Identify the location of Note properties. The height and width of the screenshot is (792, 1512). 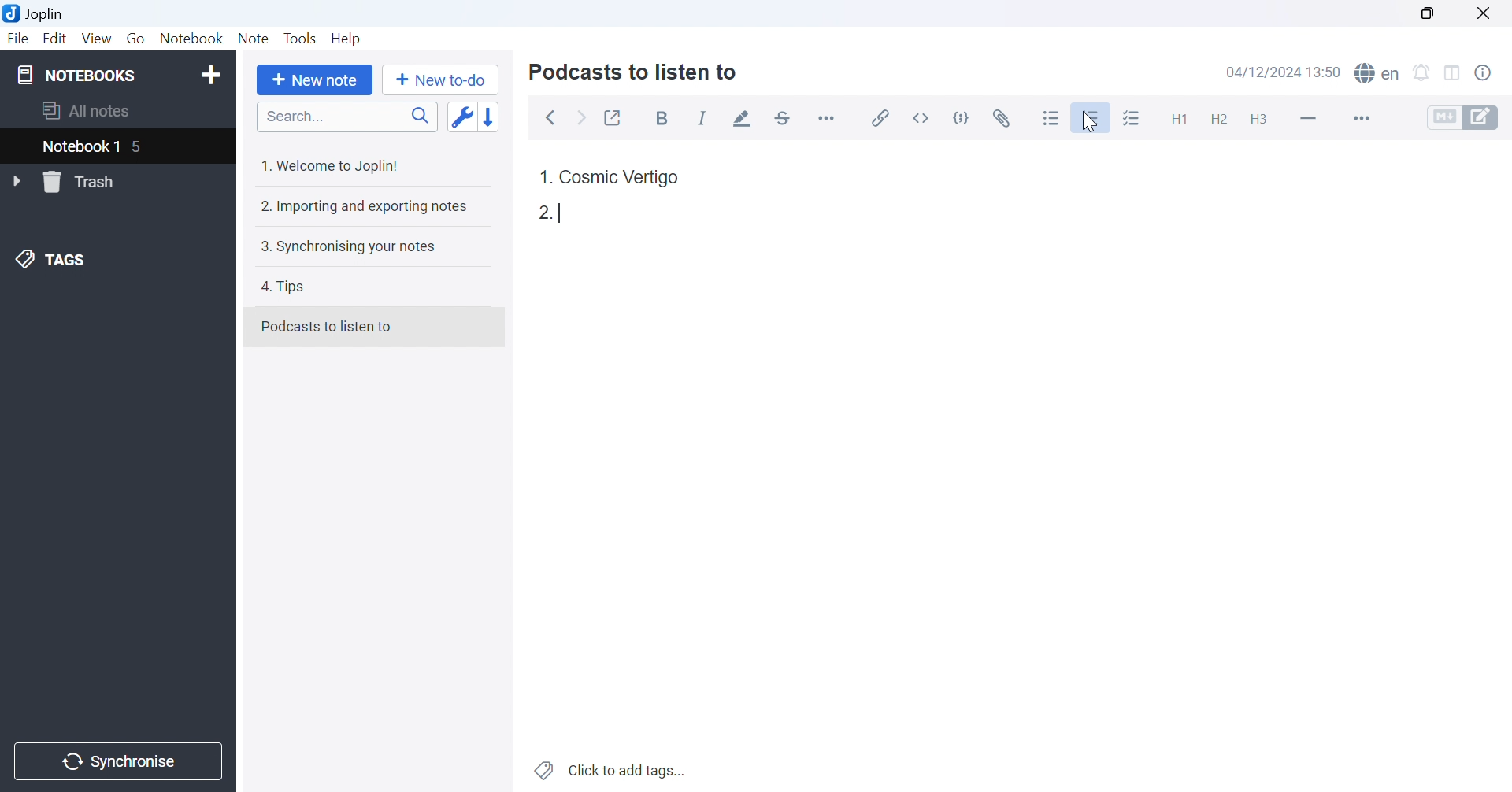
(1492, 76).